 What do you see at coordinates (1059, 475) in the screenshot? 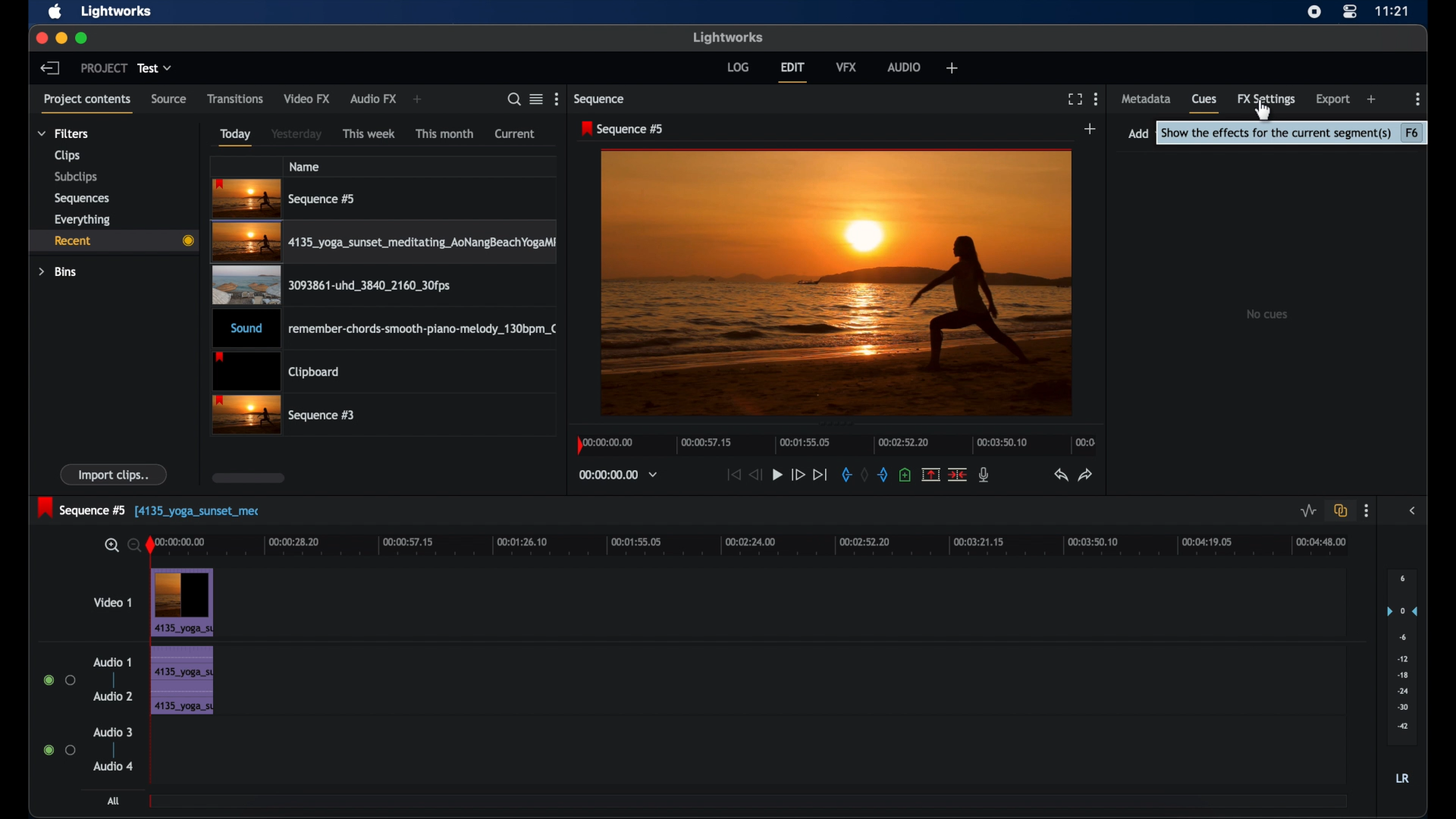
I see `undo` at bounding box center [1059, 475].